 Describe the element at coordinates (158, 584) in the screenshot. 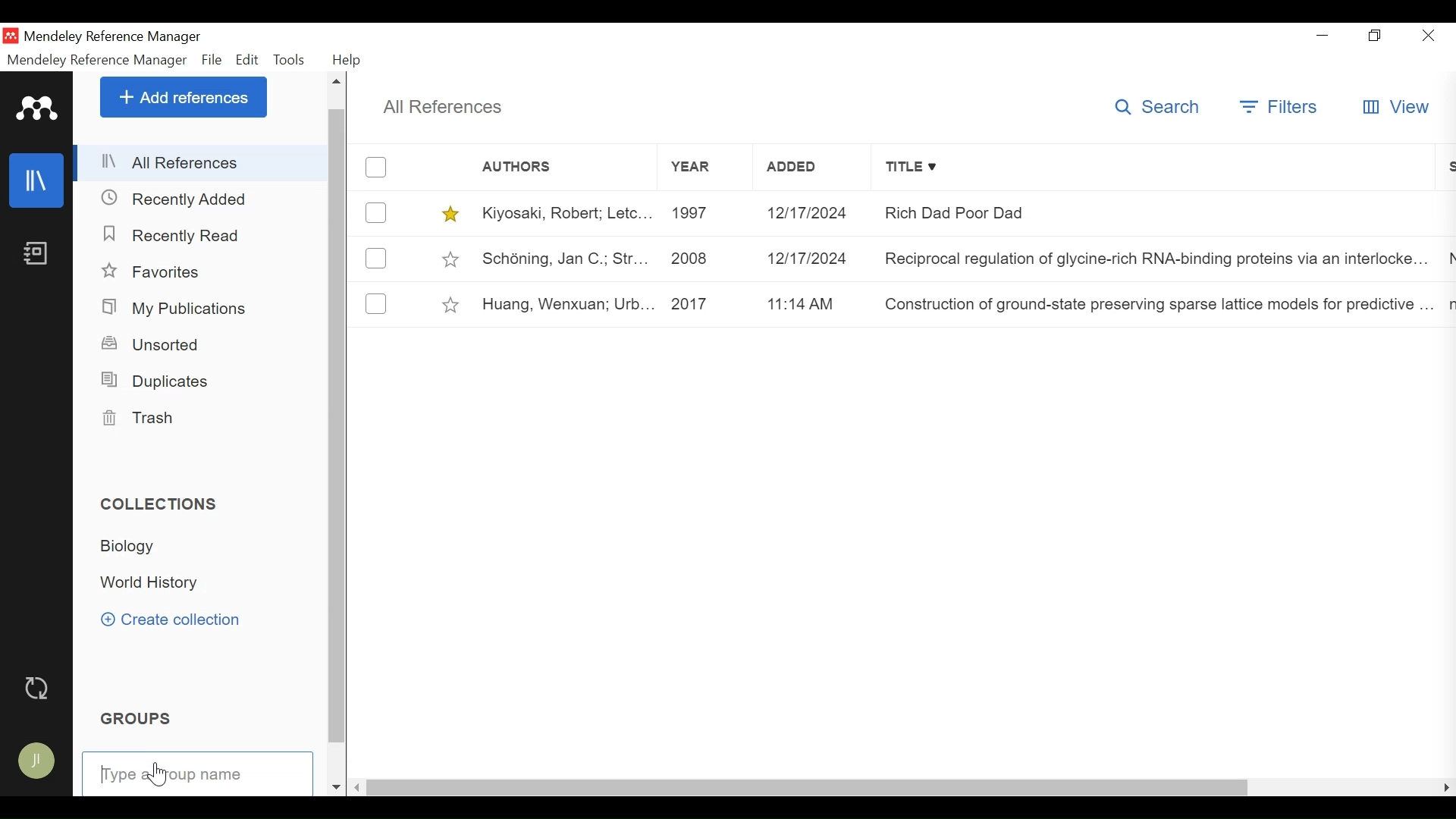

I see `World History` at that location.